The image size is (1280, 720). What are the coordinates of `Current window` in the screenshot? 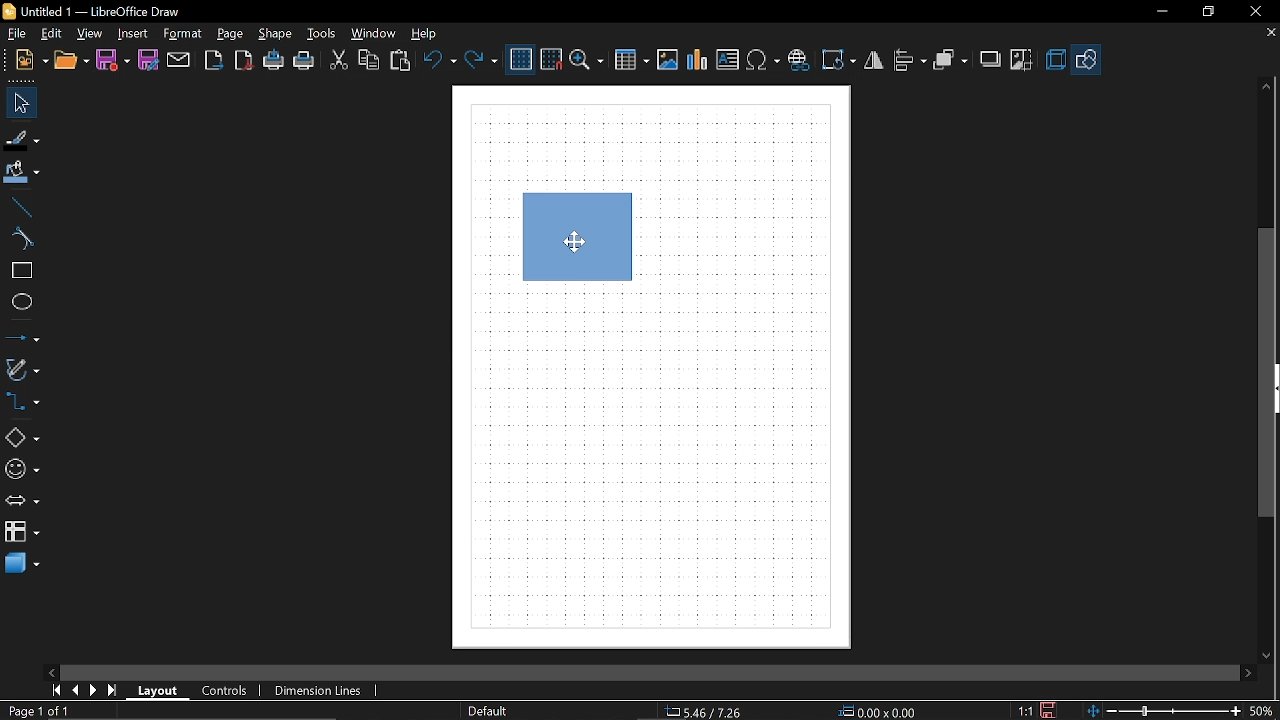 It's located at (92, 10).